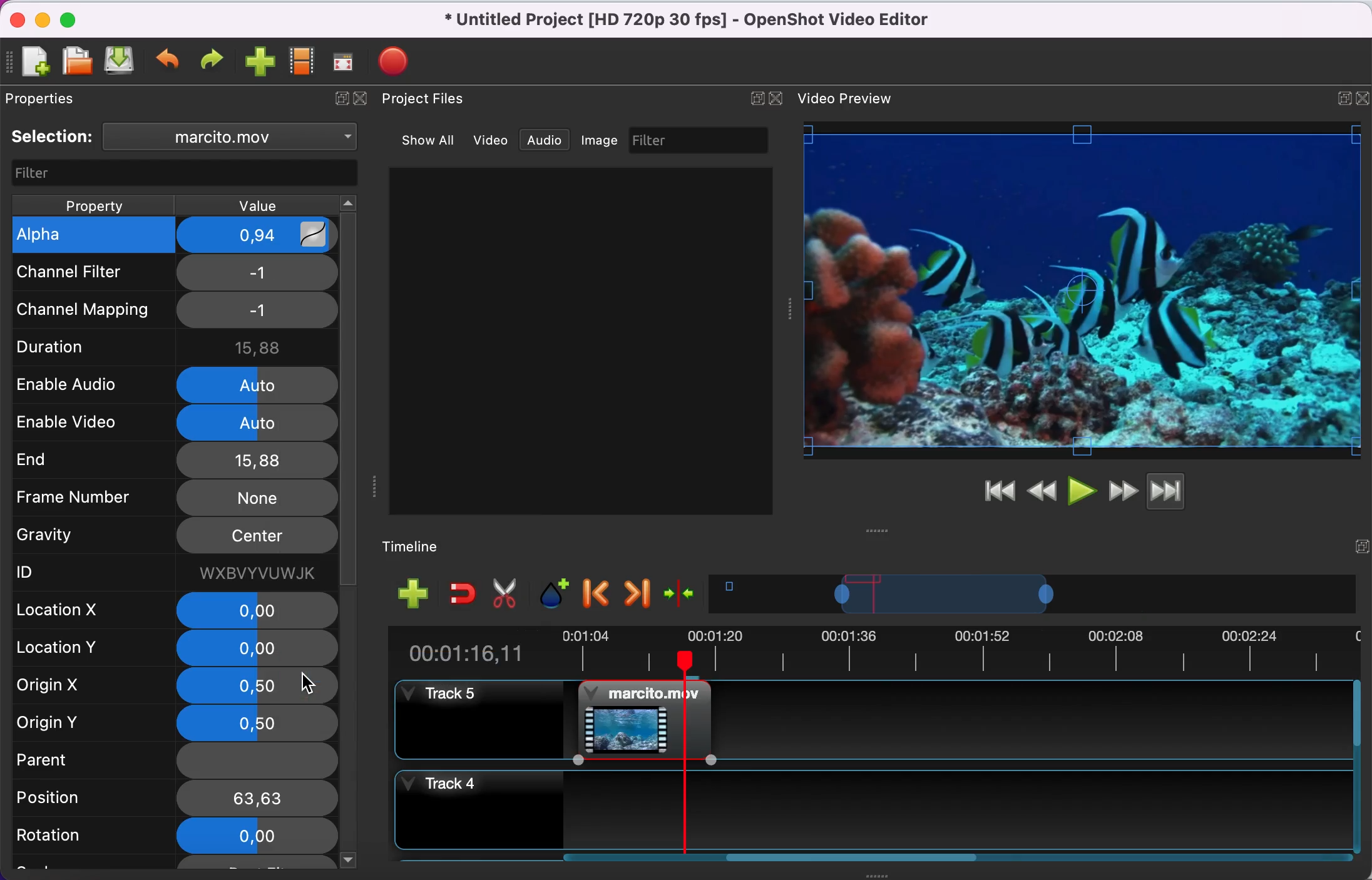  I want to click on Value, so click(267, 204).